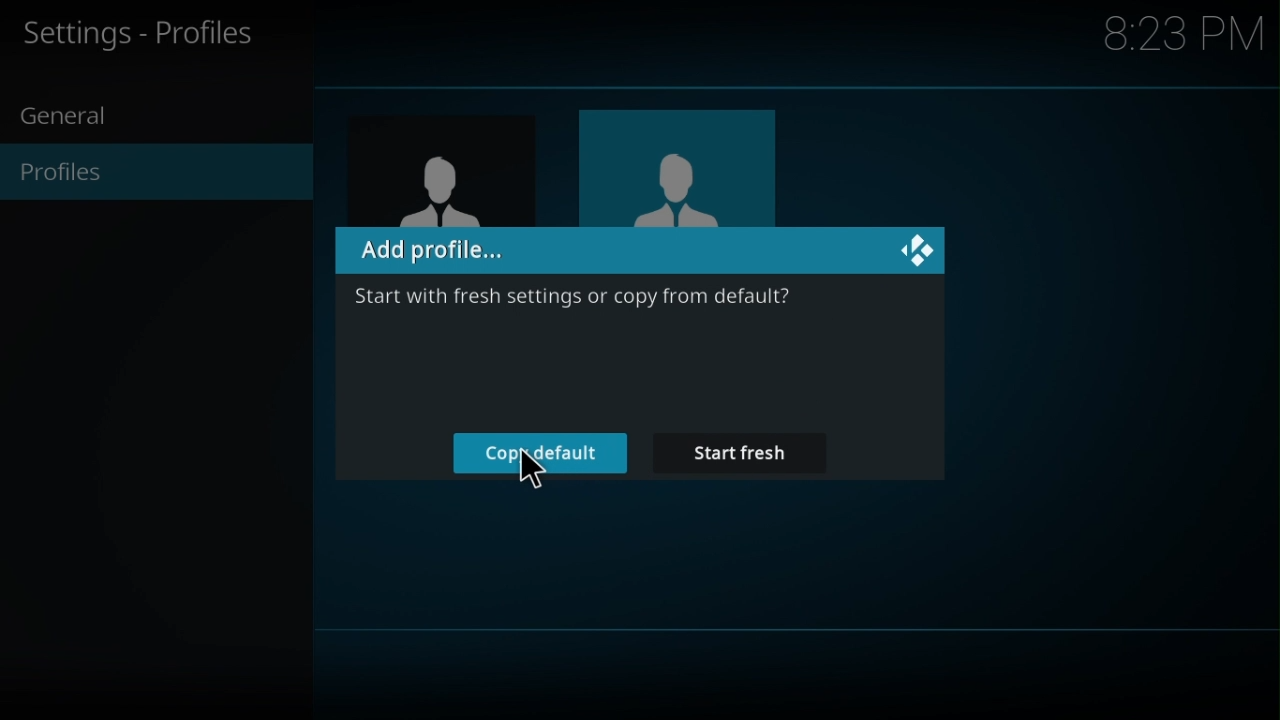  I want to click on time, so click(1182, 41).